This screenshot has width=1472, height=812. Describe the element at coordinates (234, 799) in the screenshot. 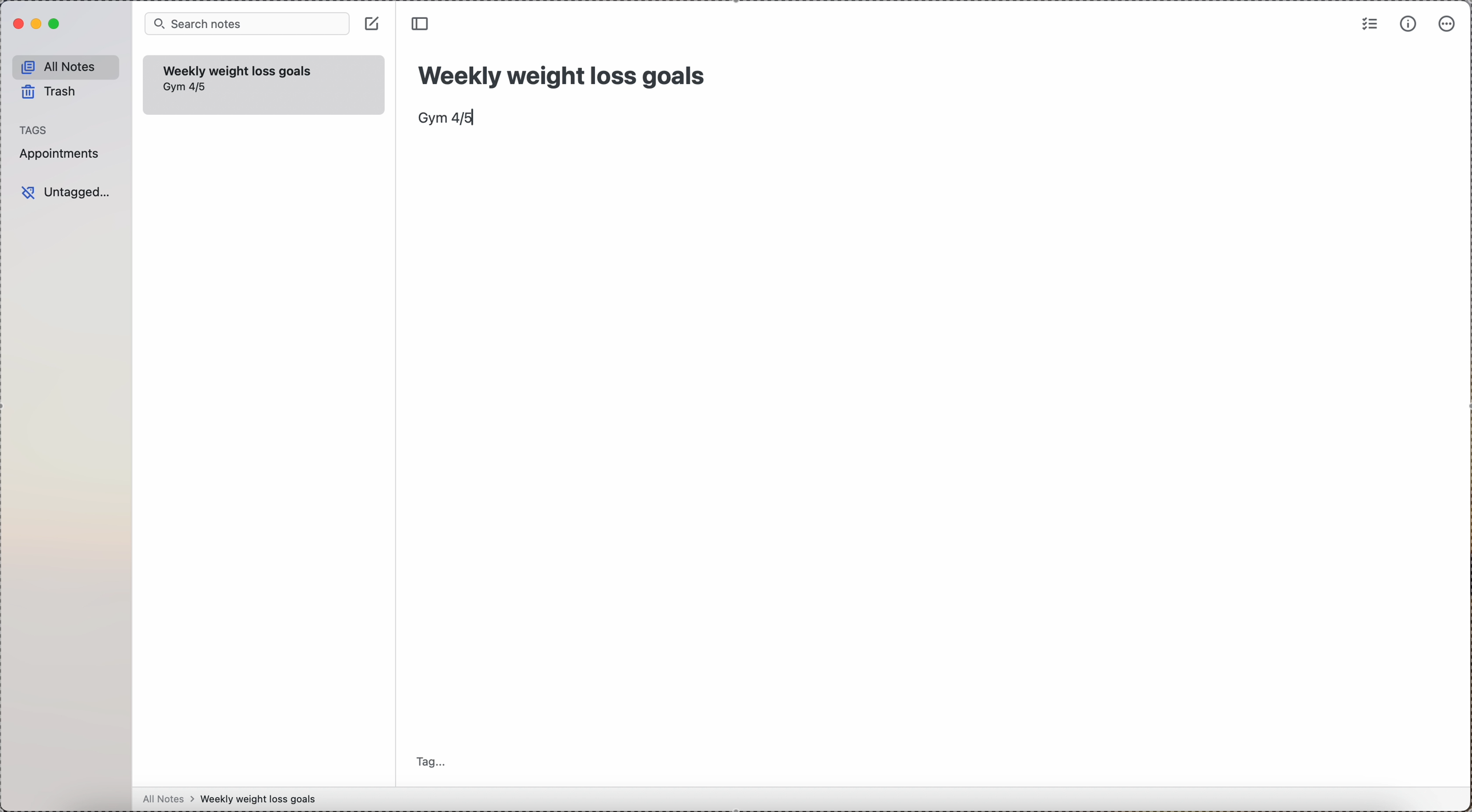

I see `all notes > weekly weight loss goals` at that location.